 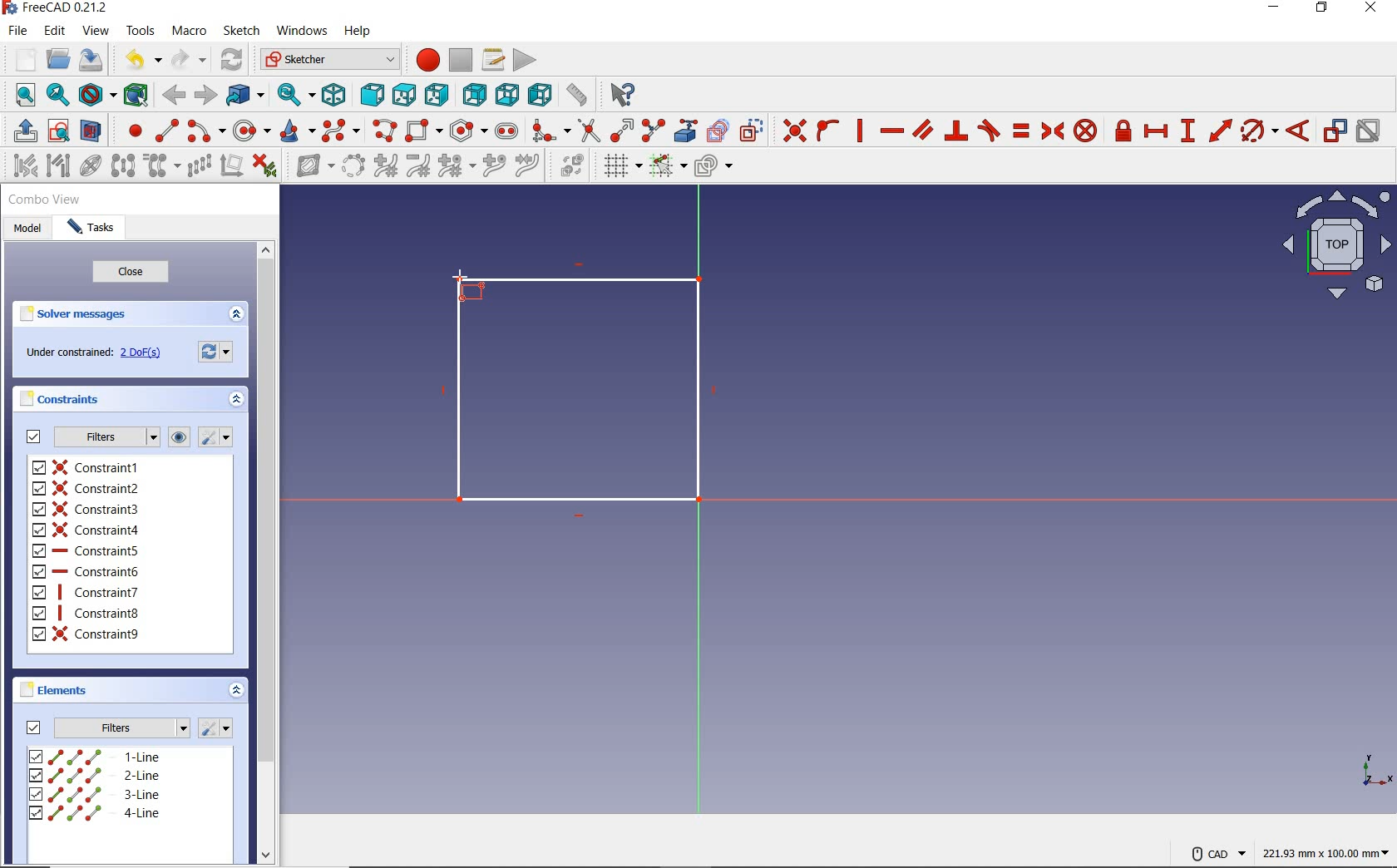 I want to click on toggle snap, so click(x=667, y=167).